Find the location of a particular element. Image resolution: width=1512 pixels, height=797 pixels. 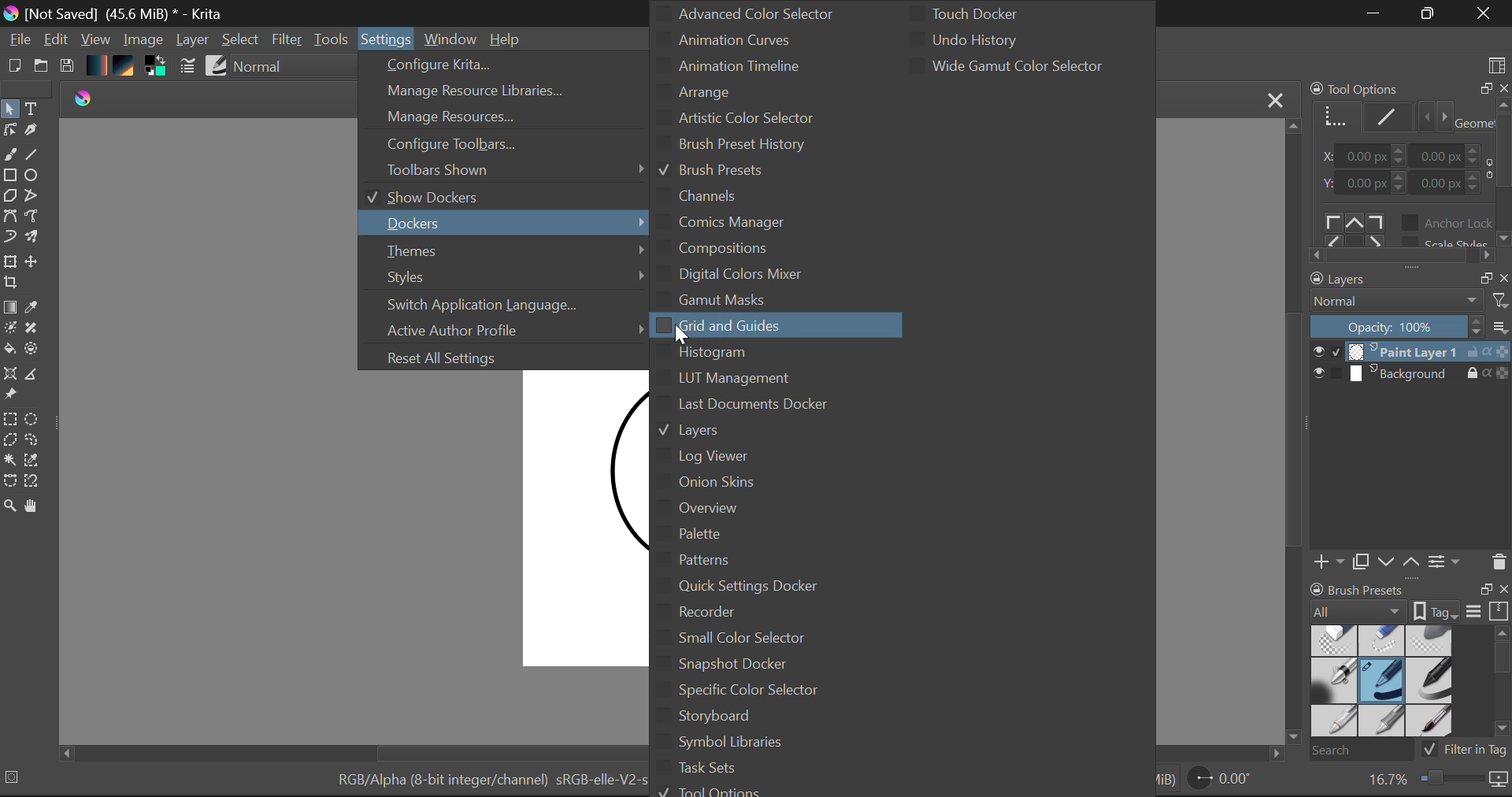

Brush Presets Search is located at coordinates (1407, 749).